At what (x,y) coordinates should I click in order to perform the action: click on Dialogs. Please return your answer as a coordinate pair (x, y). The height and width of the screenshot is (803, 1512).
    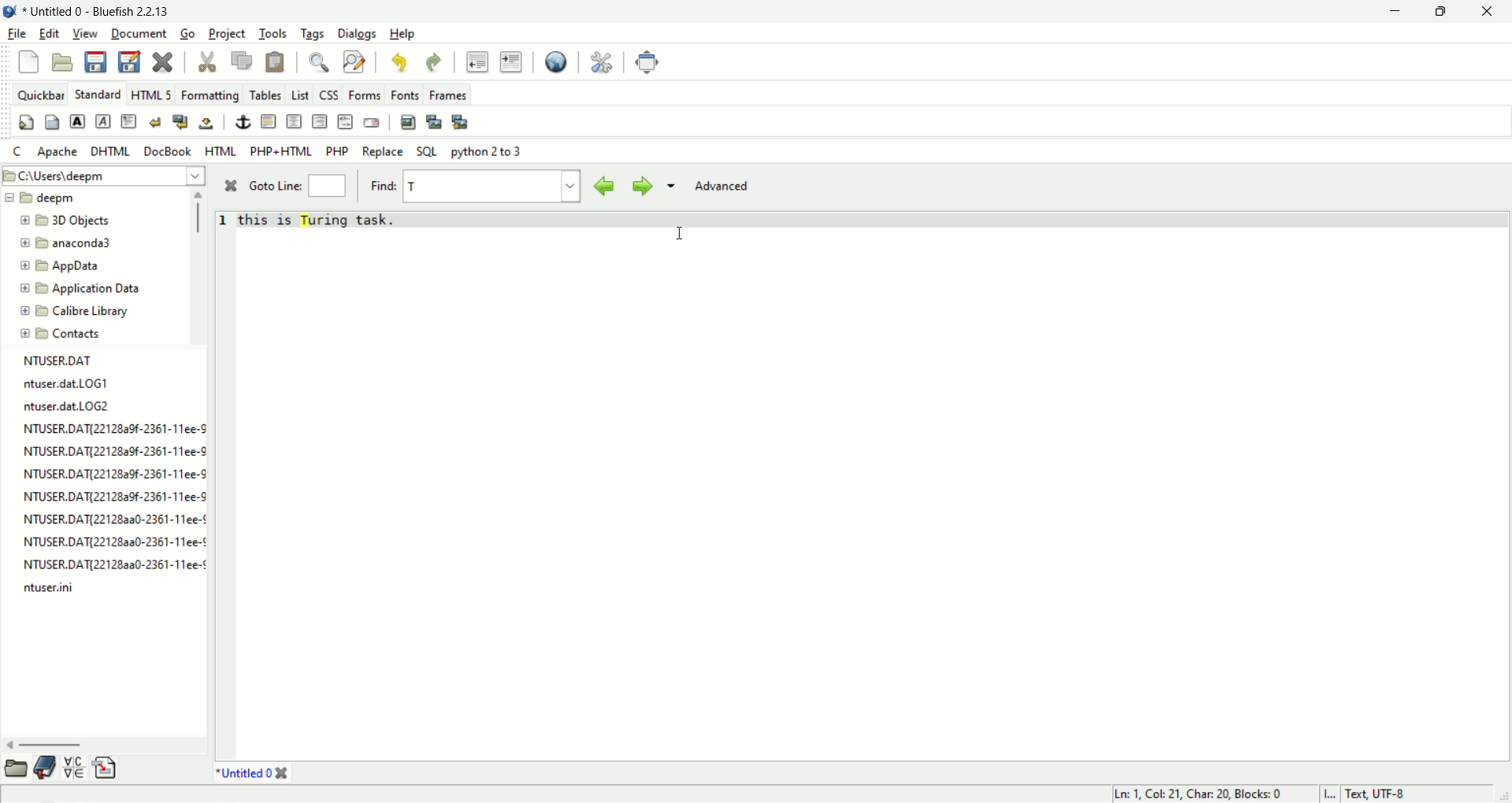
    Looking at the image, I should click on (357, 33).